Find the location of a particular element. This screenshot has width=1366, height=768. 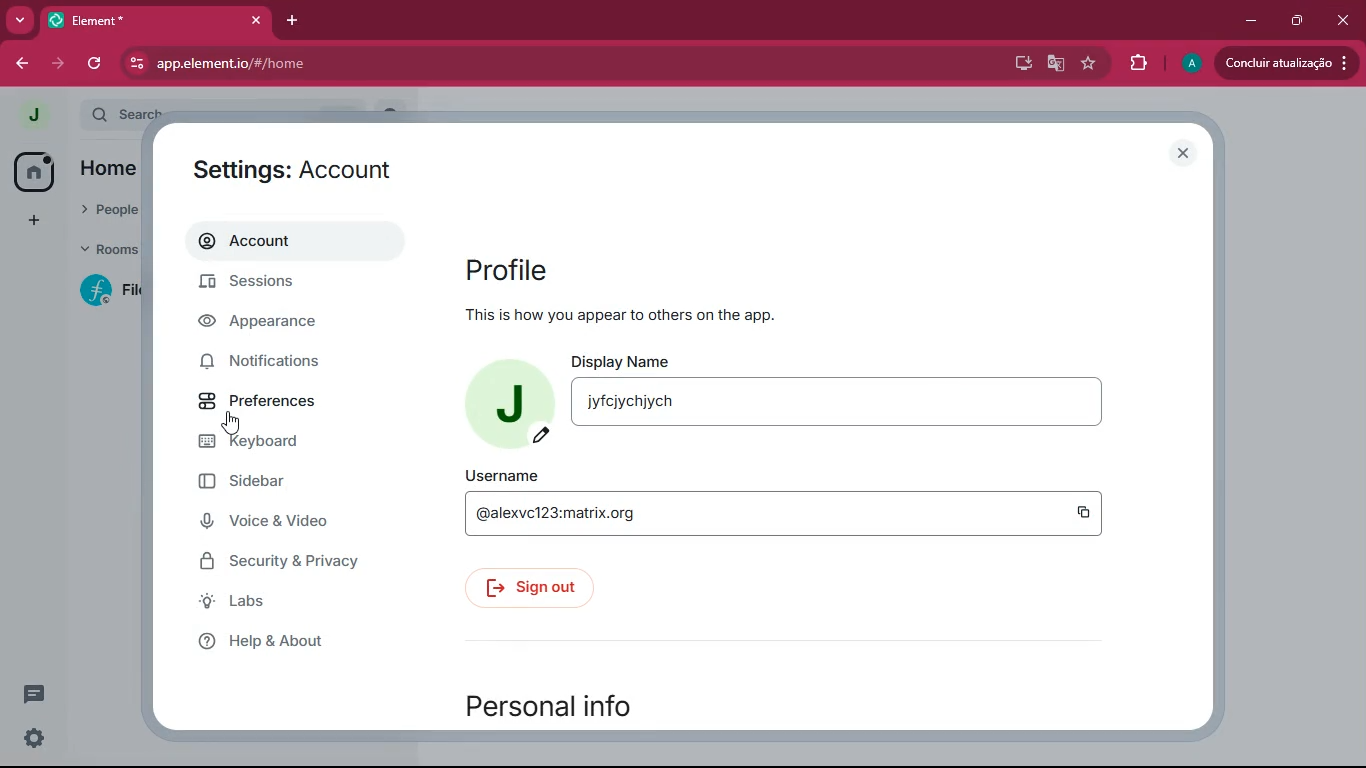

refresh is located at coordinates (96, 64).